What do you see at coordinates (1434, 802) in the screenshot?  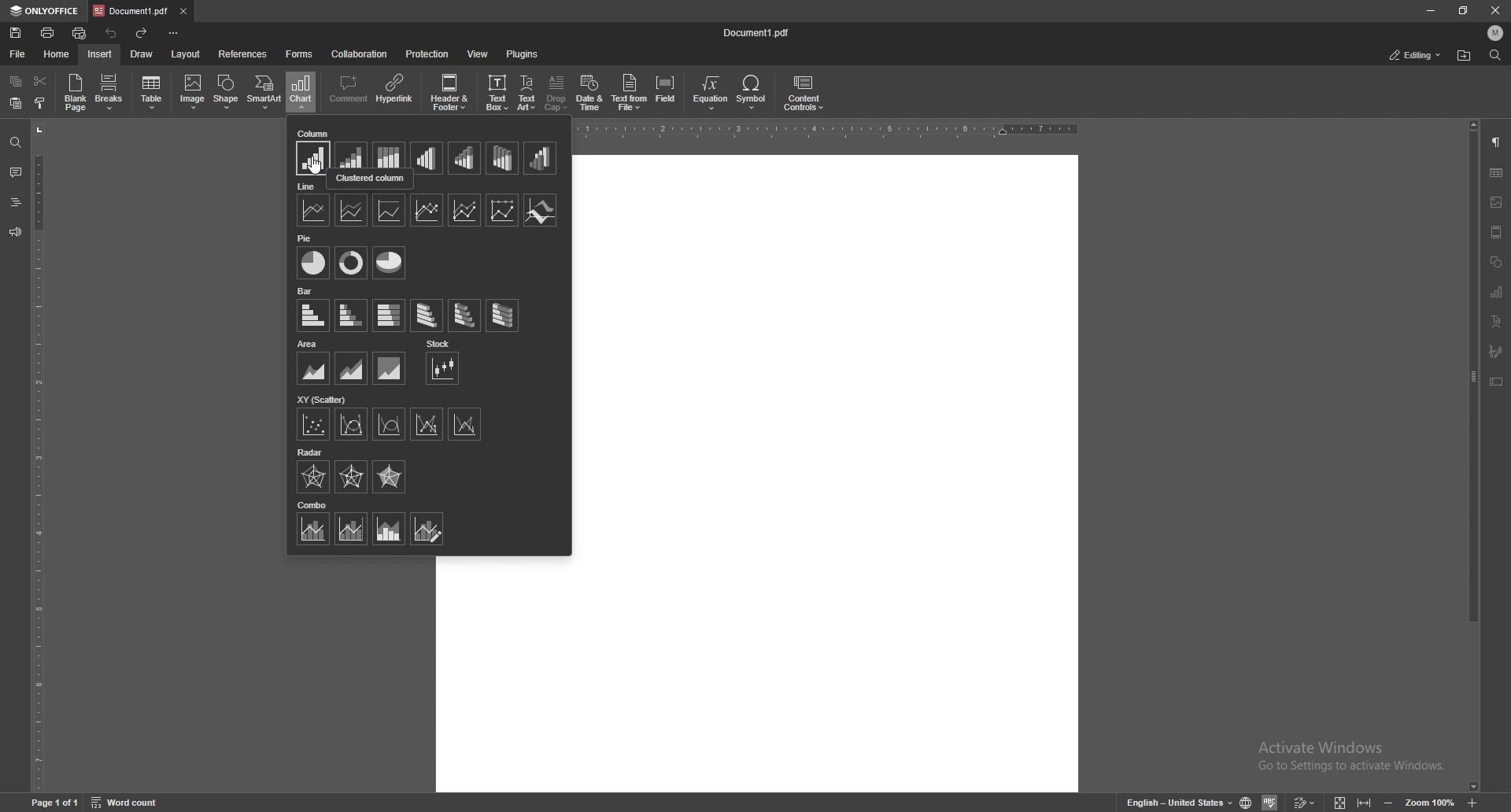 I see `Zoom 100%` at bounding box center [1434, 802].